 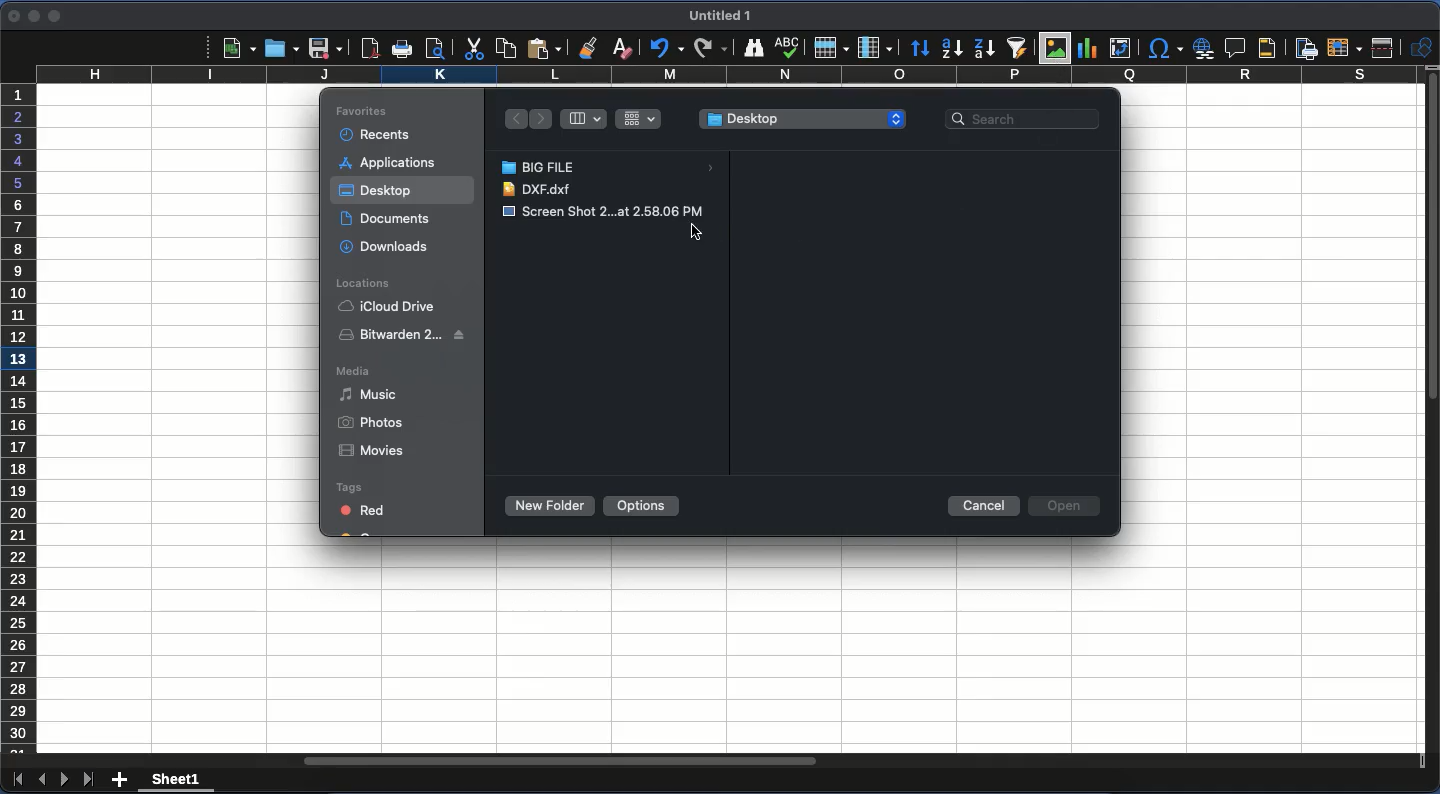 What do you see at coordinates (364, 284) in the screenshot?
I see `locations` at bounding box center [364, 284].